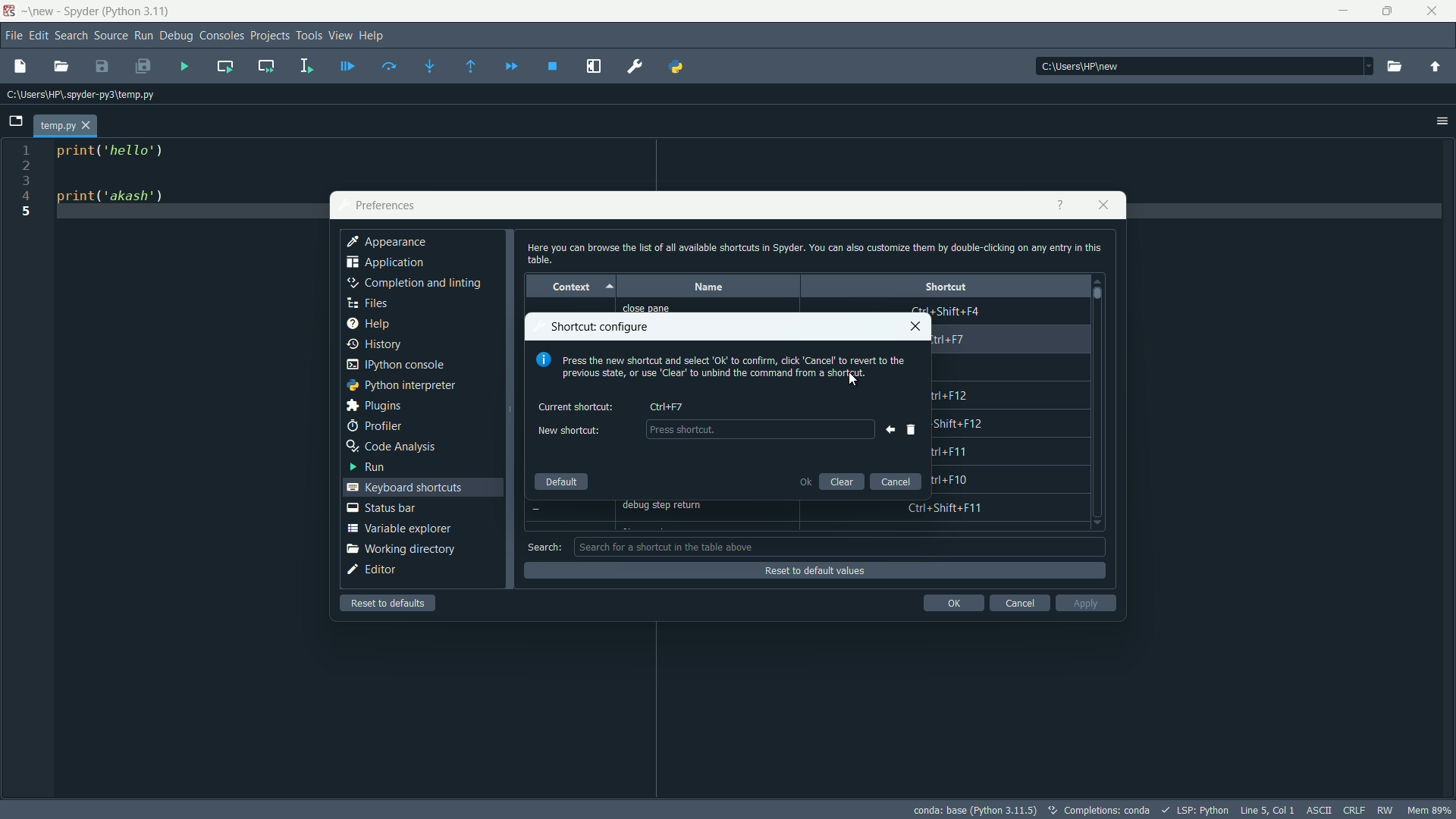 This screenshot has height=819, width=1456. What do you see at coordinates (388, 242) in the screenshot?
I see `appearance` at bounding box center [388, 242].